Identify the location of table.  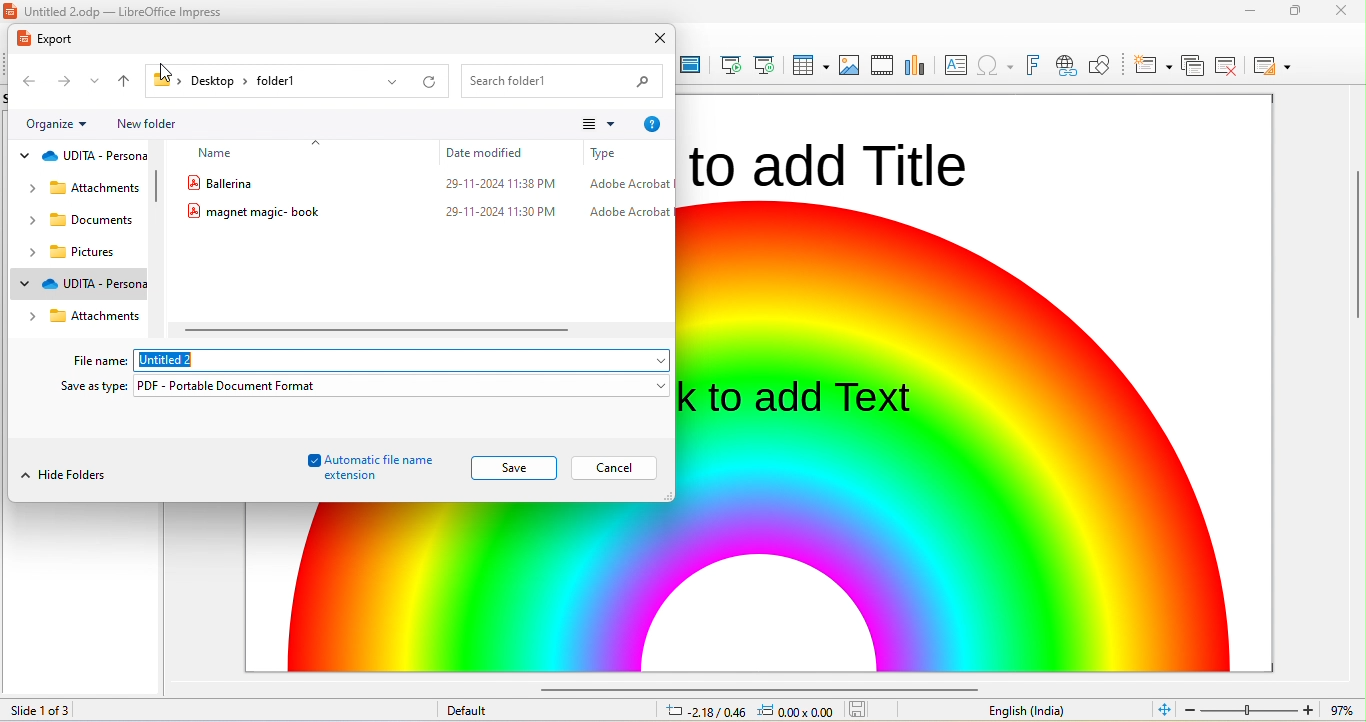
(808, 65).